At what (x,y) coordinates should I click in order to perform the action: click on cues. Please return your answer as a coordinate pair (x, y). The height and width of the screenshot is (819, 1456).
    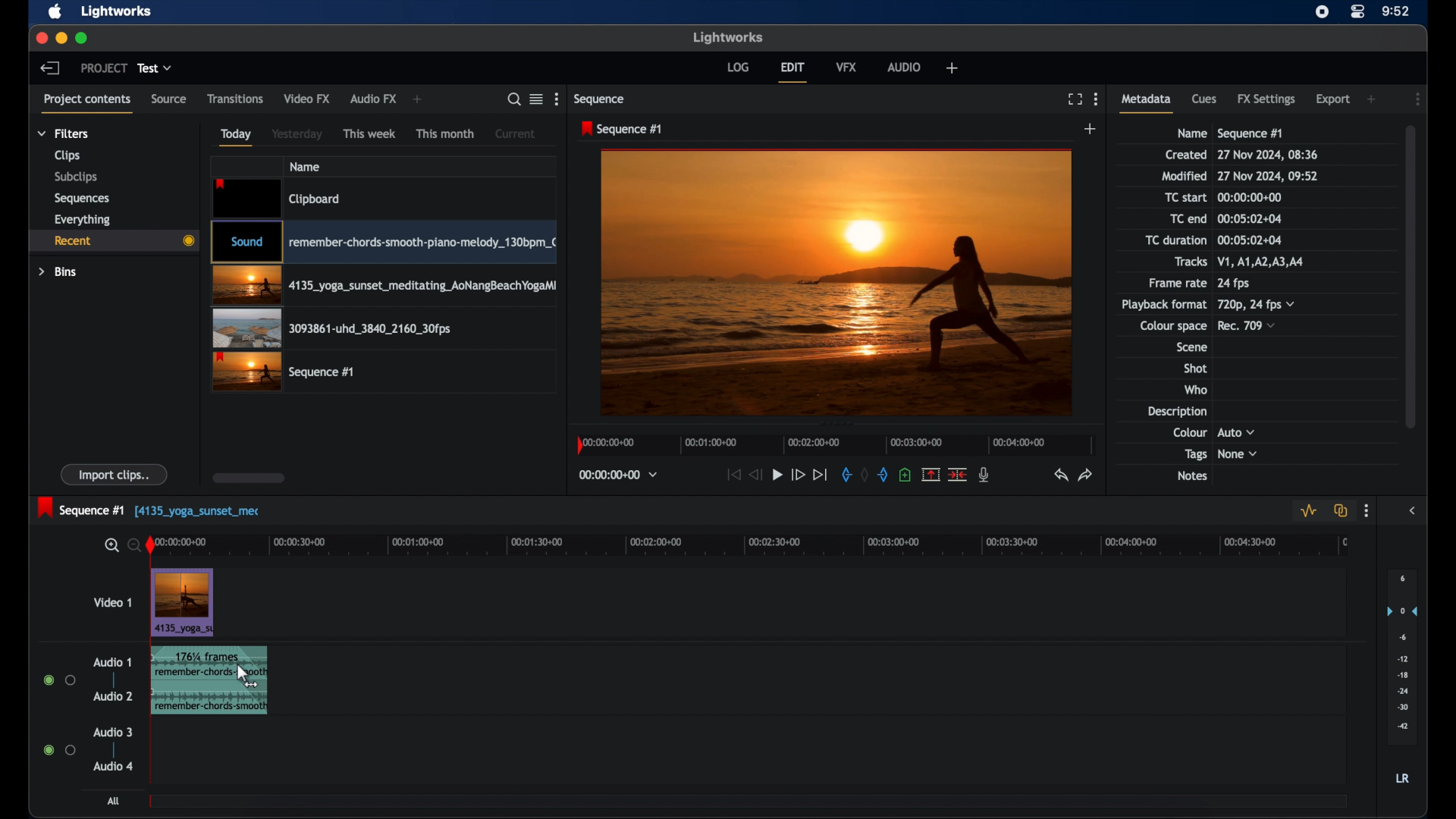
    Looking at the image, I should click on (1204, 98).